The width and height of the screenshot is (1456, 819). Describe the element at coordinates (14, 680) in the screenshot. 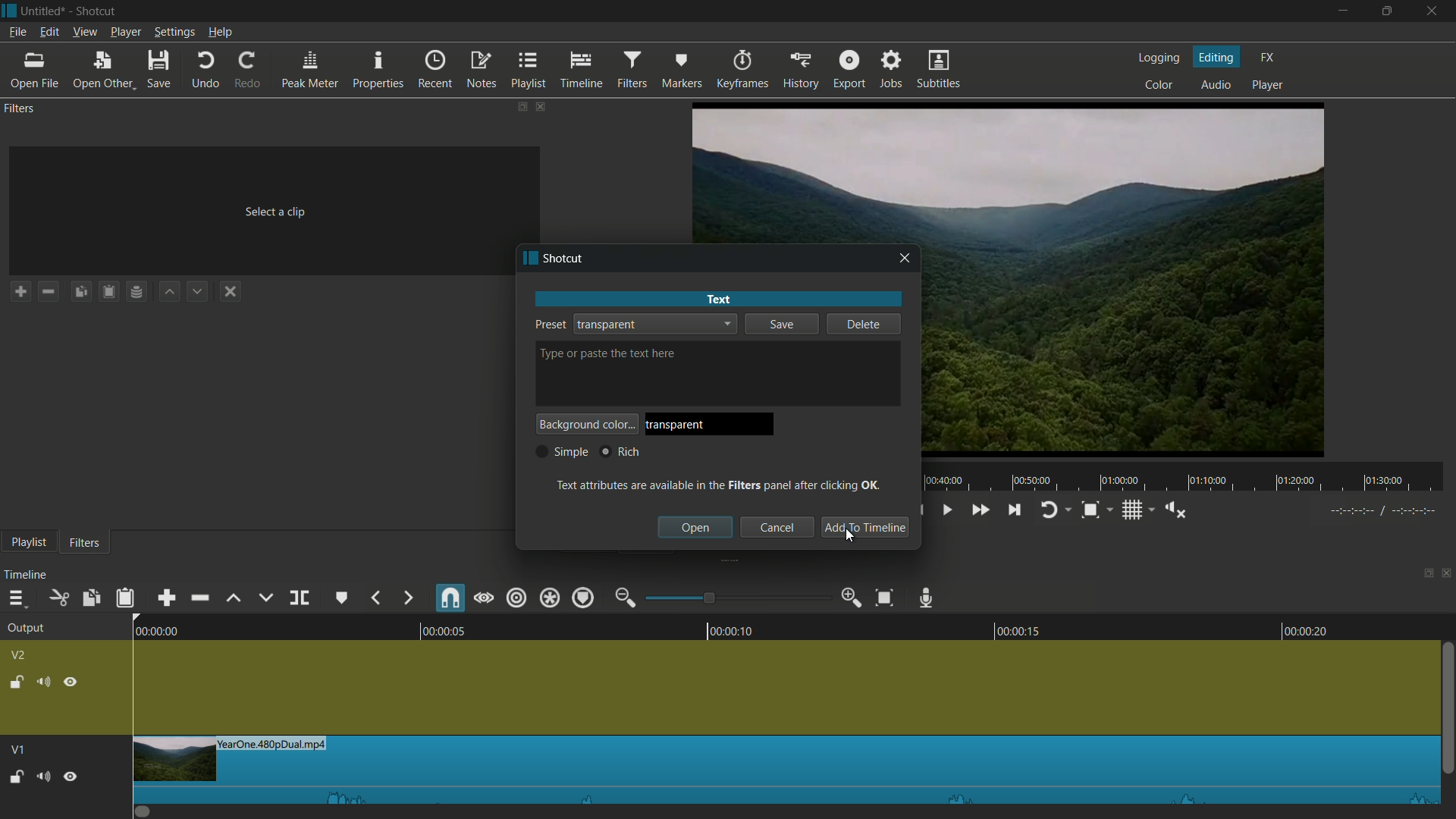

I see `lock` at that location.